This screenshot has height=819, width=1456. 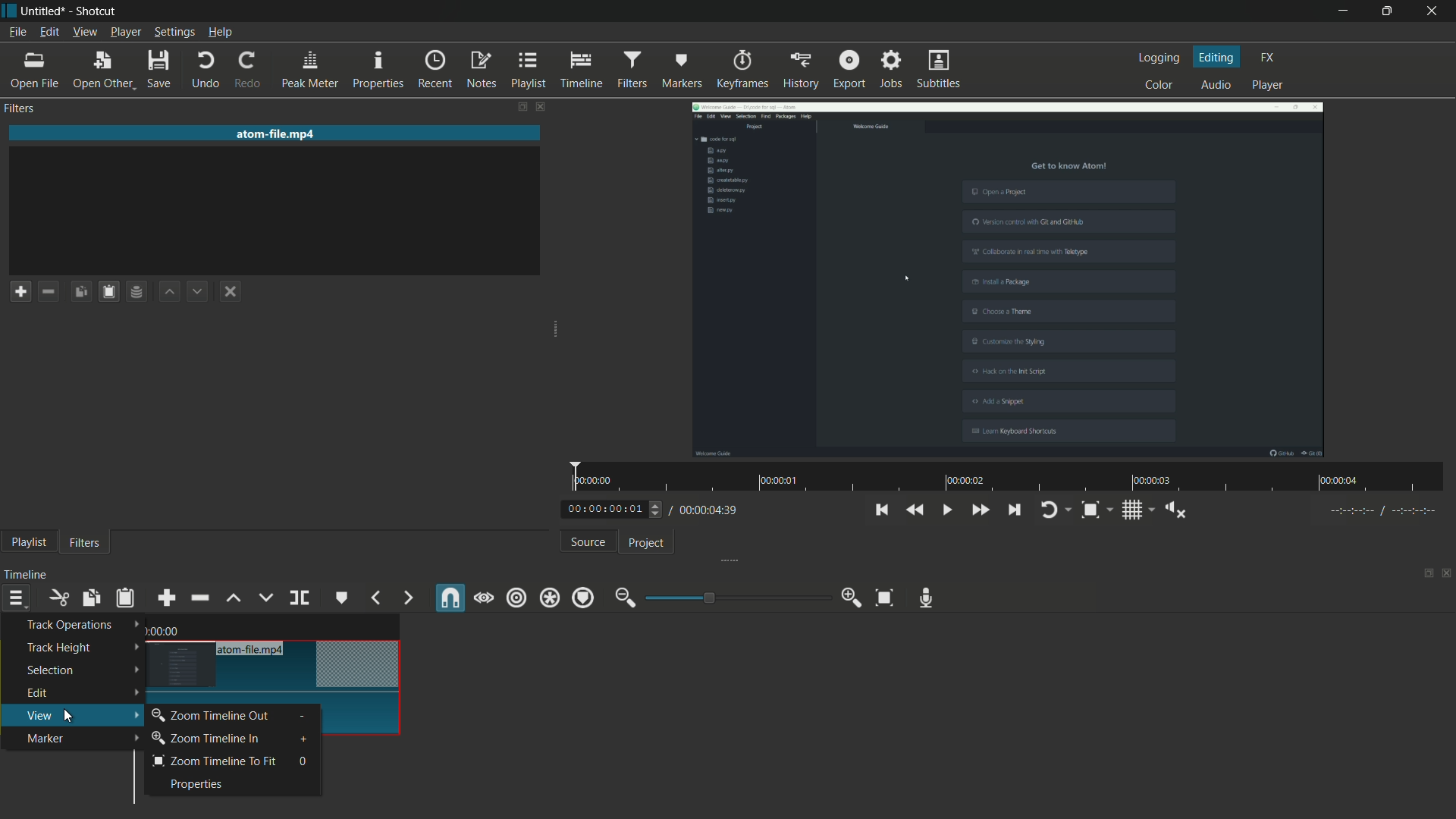 What do you see at coordinates (1341, 11) in the screenshot?
I see `minimize` at bounding box center [1341, 11].